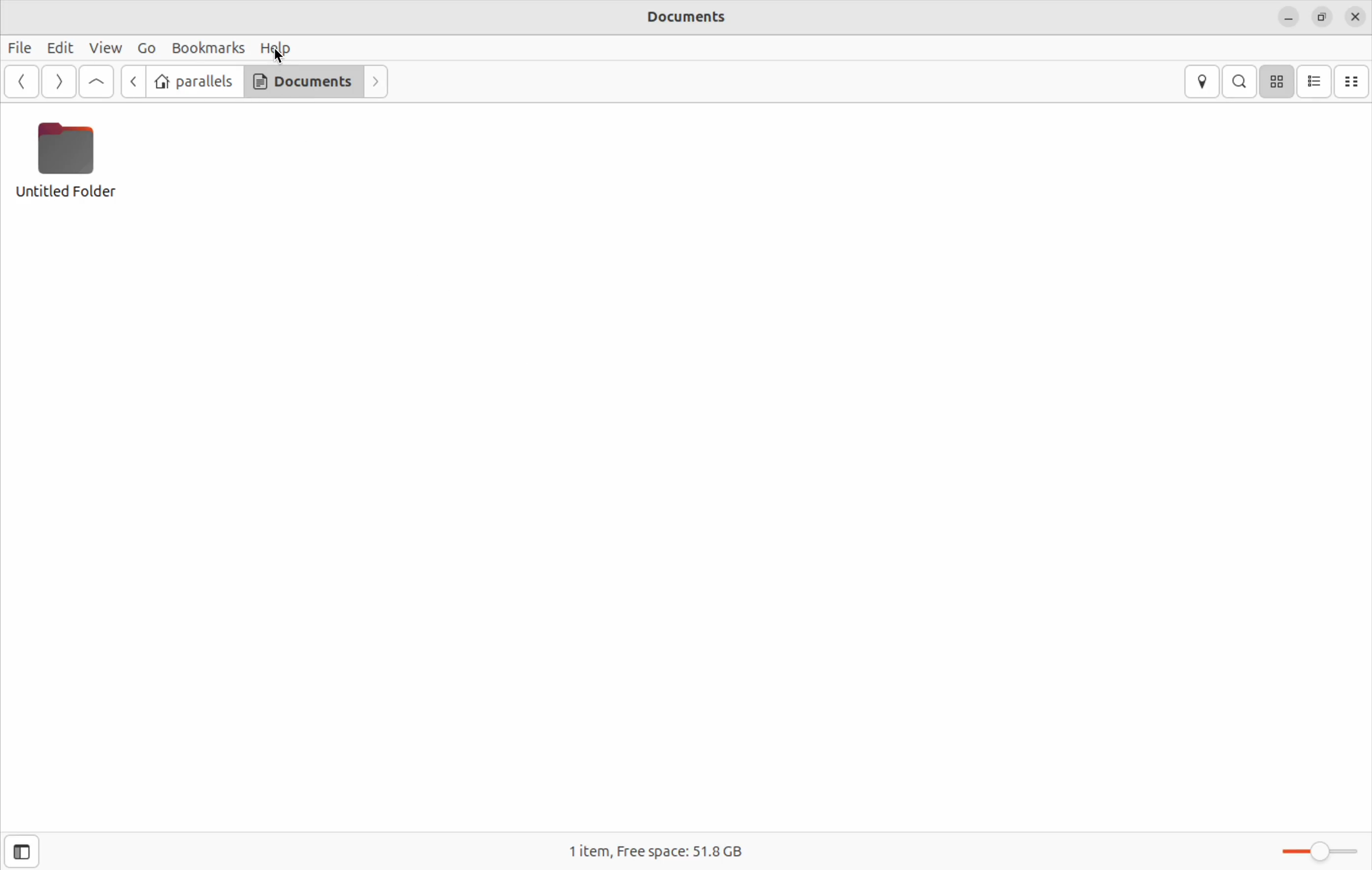  I want to click on icon view, so click(1277, 81).